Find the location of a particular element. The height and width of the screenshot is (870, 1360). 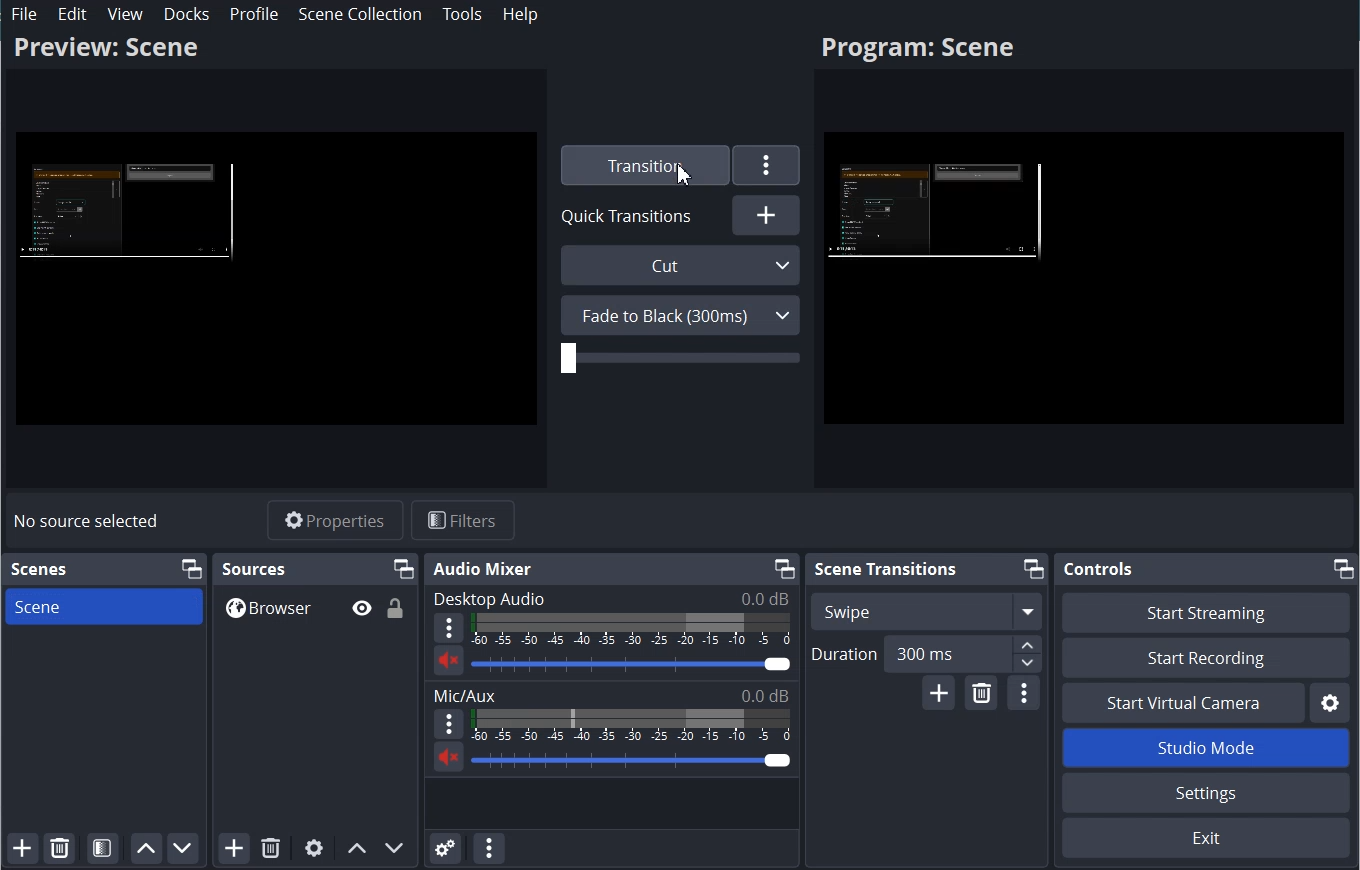

Cut is located at coordinates (682, 265).